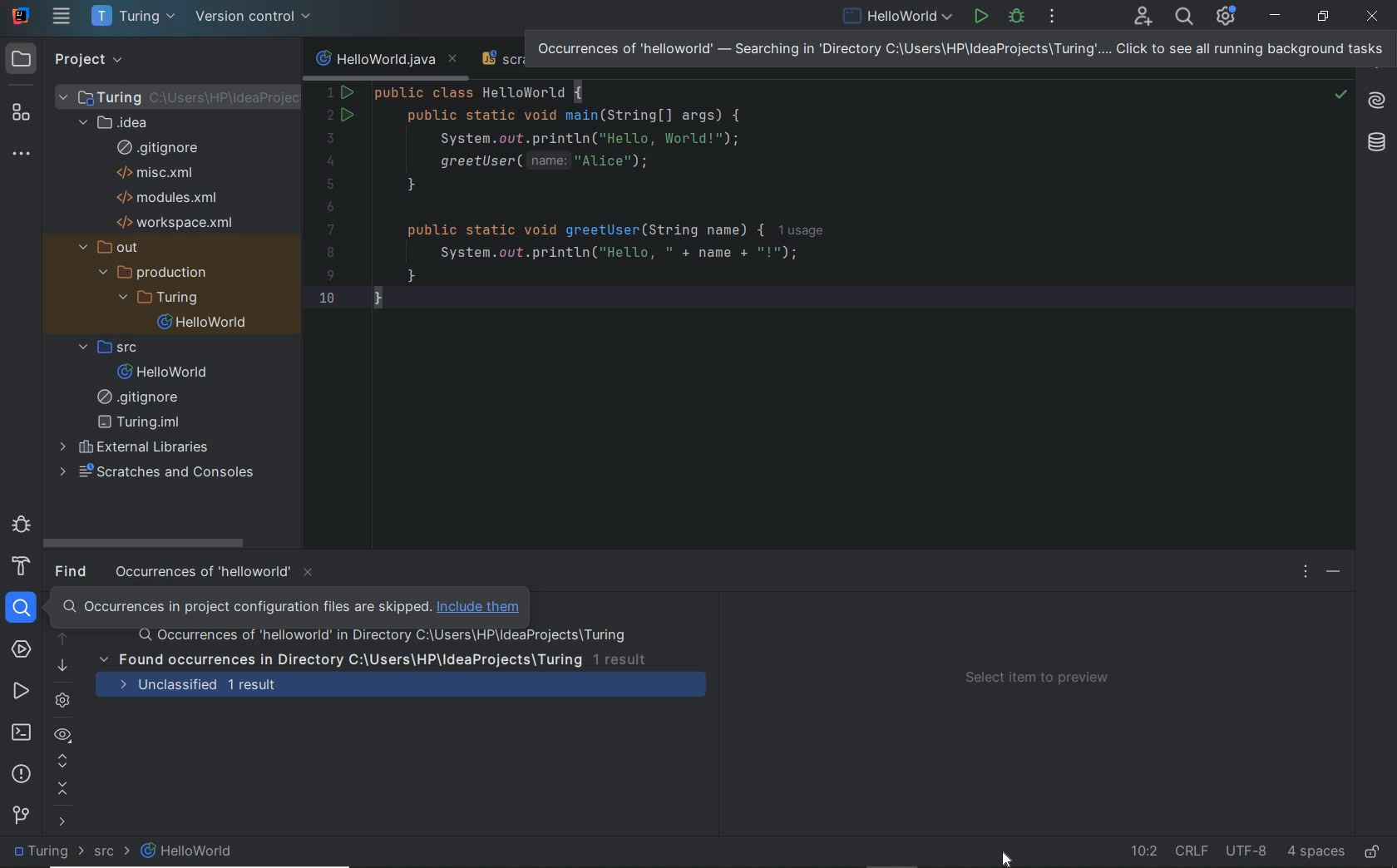  I want to click on structure, so click(23, 114).